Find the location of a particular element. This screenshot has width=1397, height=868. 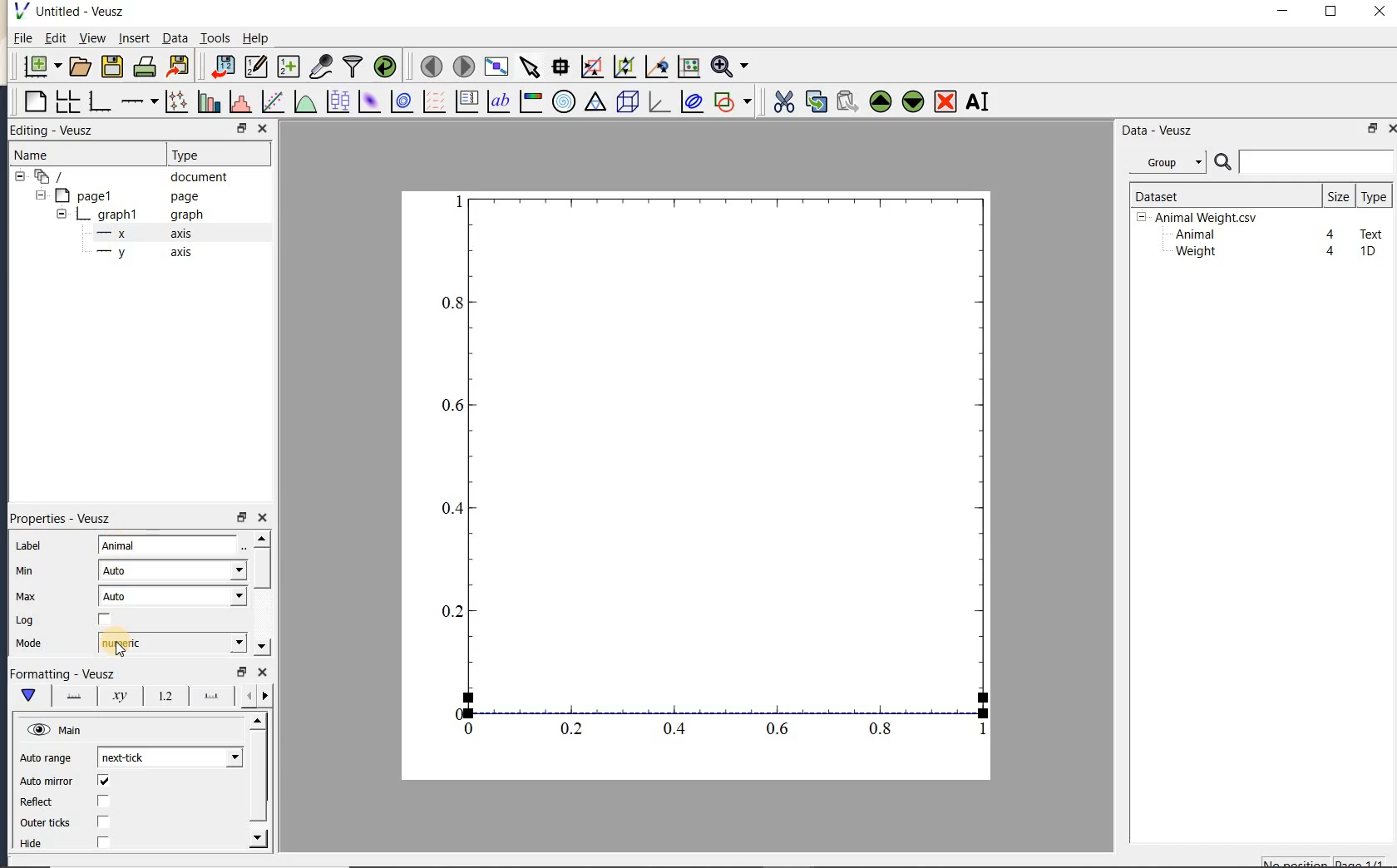

move to the next page is located at coordinates (462, 65).